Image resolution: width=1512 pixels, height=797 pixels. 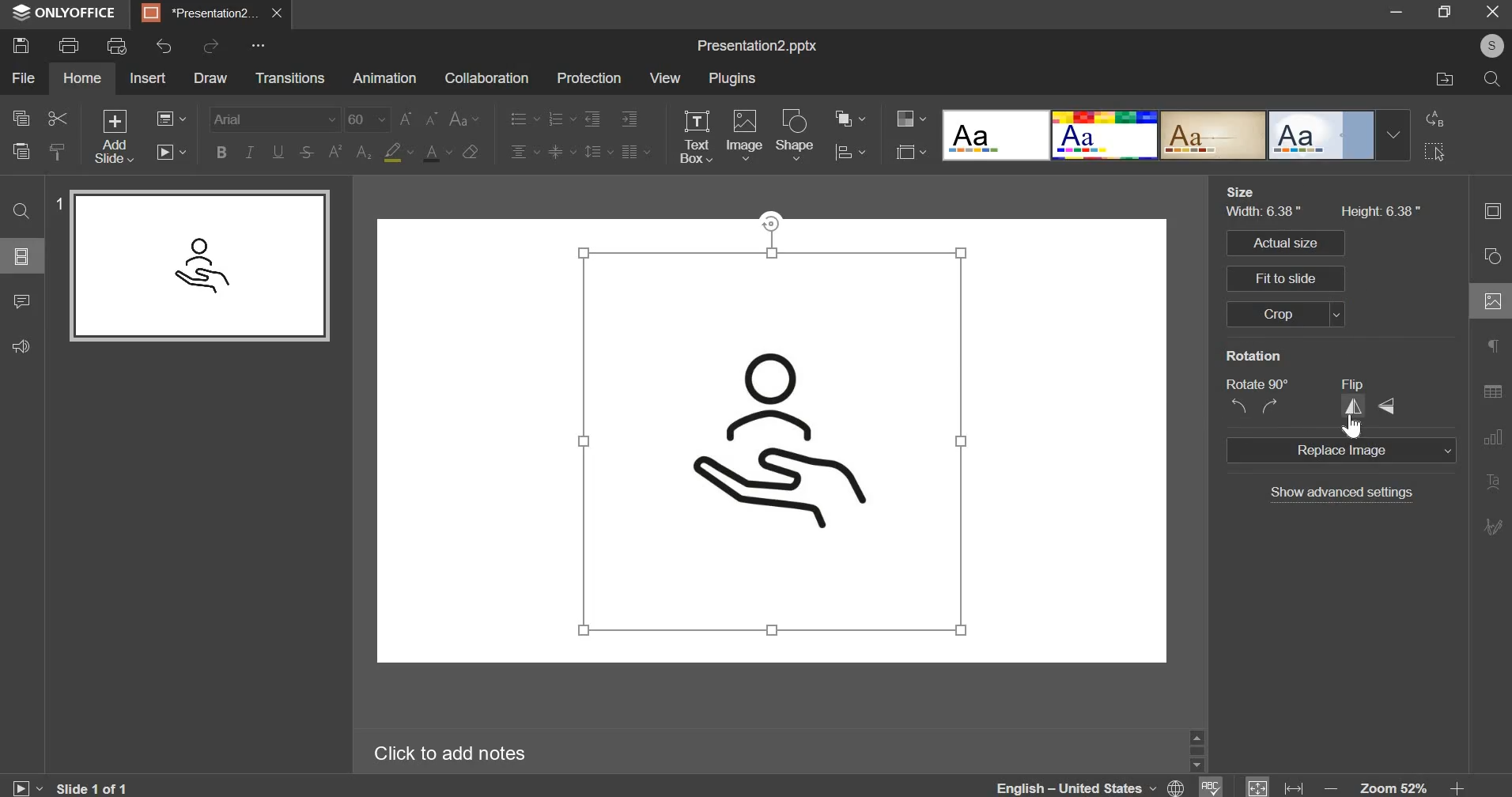 What do you see at coordinates (795, 134) in the screenshot?
I see `shapes` at bounding box center [795, 134].